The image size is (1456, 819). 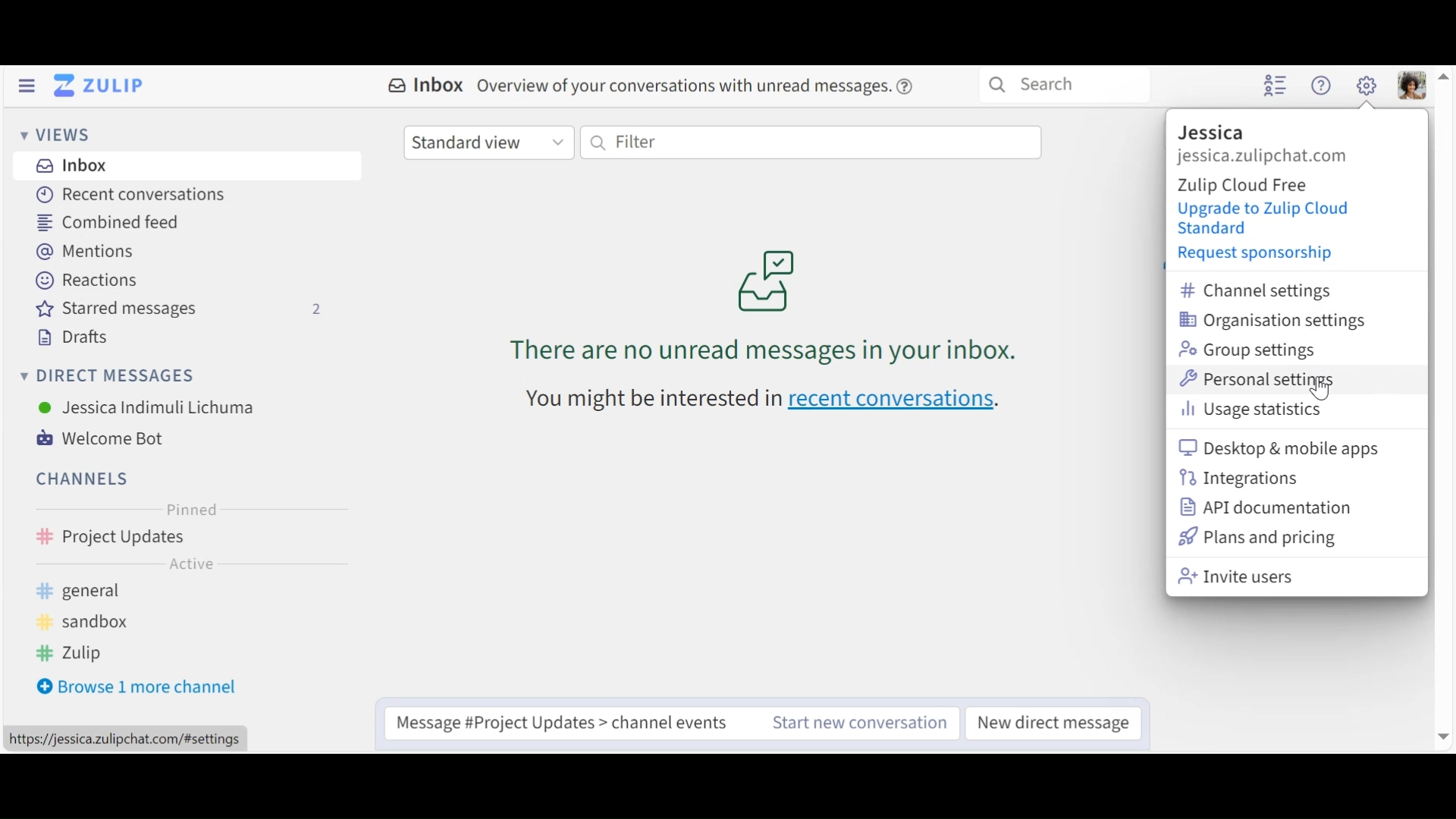 What do you see at coordinates (1282, 447) in the screenshot?
I see `Desktop & mobile apps` at bounding box center [1282, 447].